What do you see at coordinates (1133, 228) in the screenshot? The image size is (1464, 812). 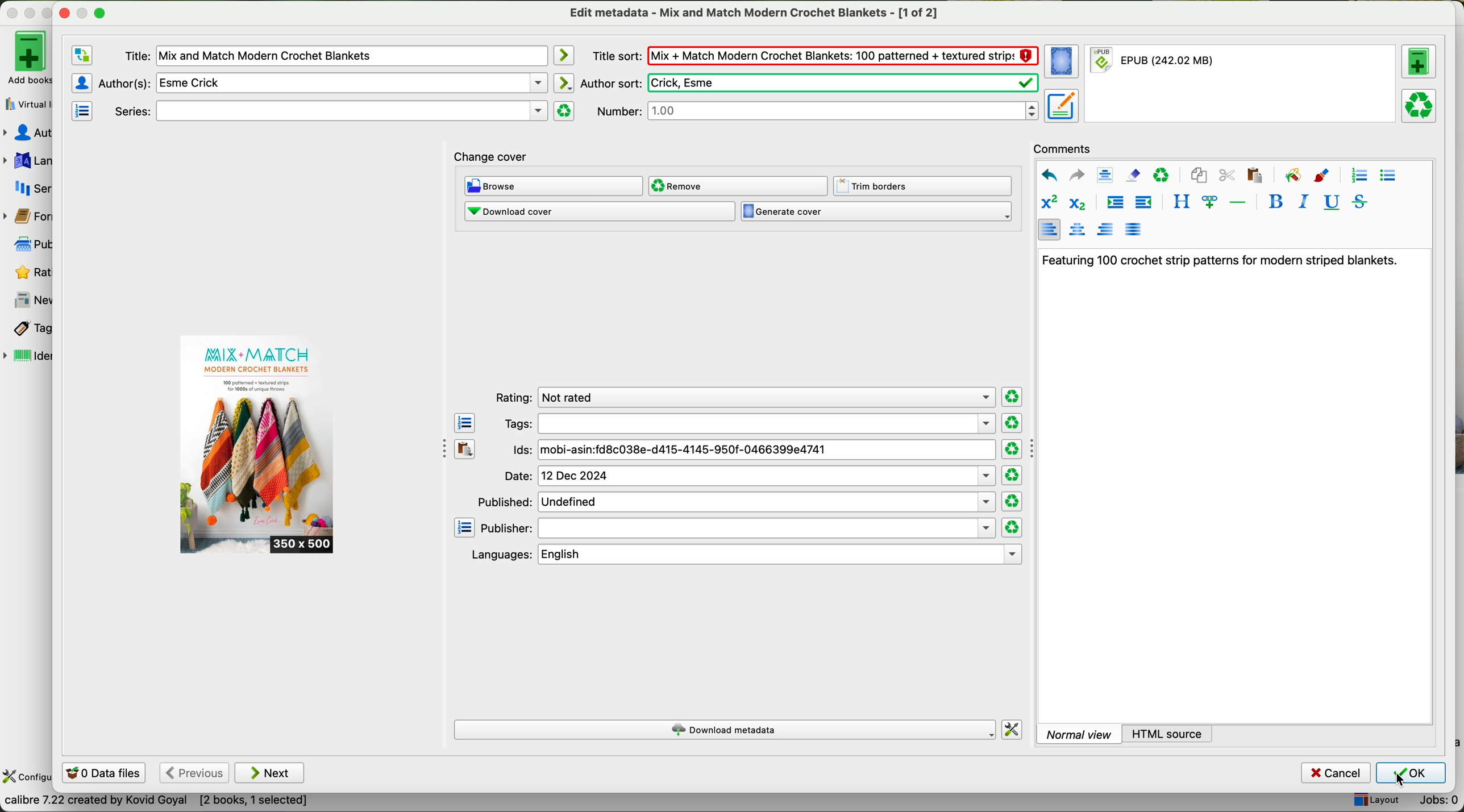 I see `align justified` at bounding box center [1133, 228].